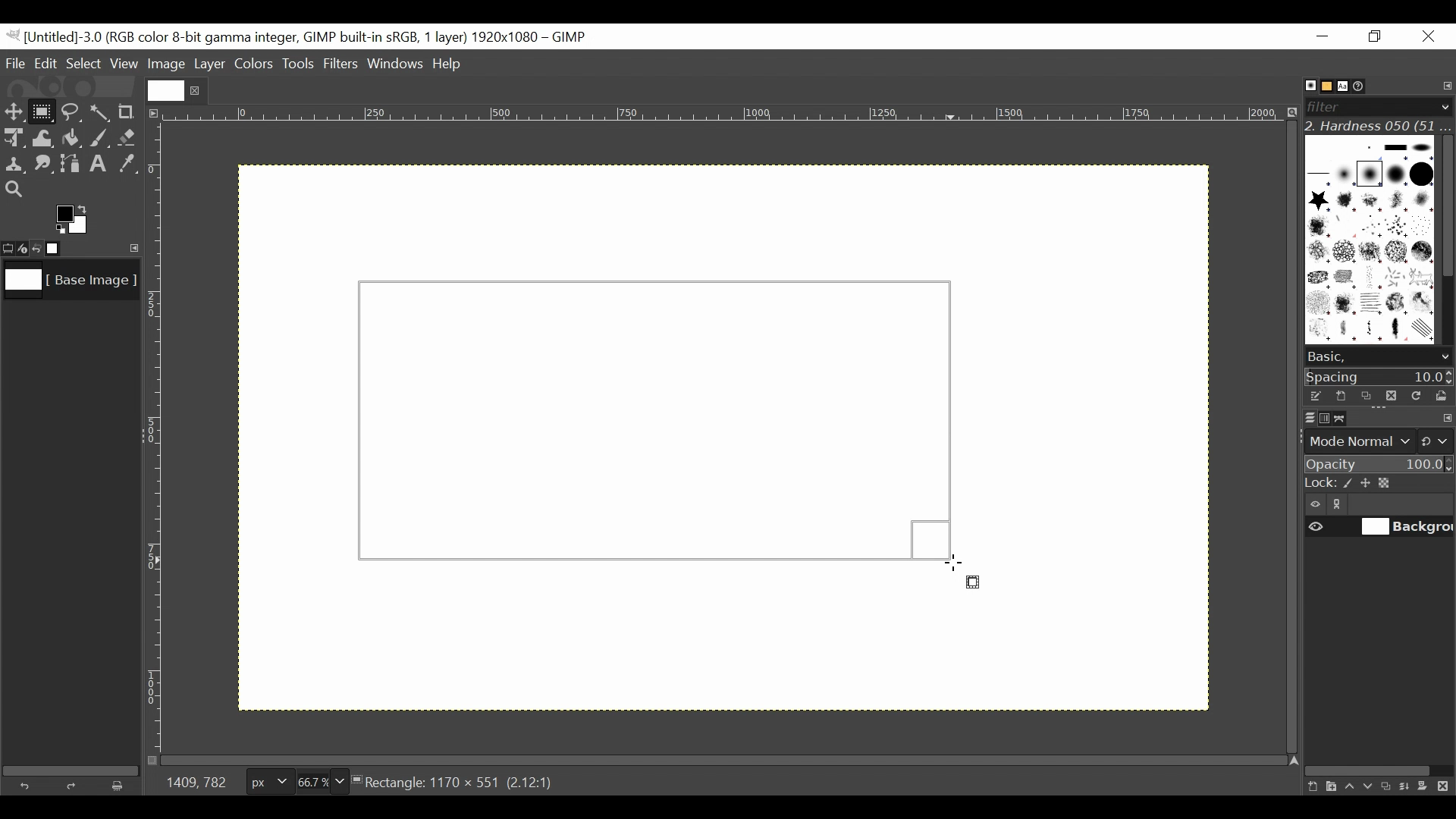 The height and width of the screenshot is (819, 1456). I want to click on Text tool, so click(101, 165).